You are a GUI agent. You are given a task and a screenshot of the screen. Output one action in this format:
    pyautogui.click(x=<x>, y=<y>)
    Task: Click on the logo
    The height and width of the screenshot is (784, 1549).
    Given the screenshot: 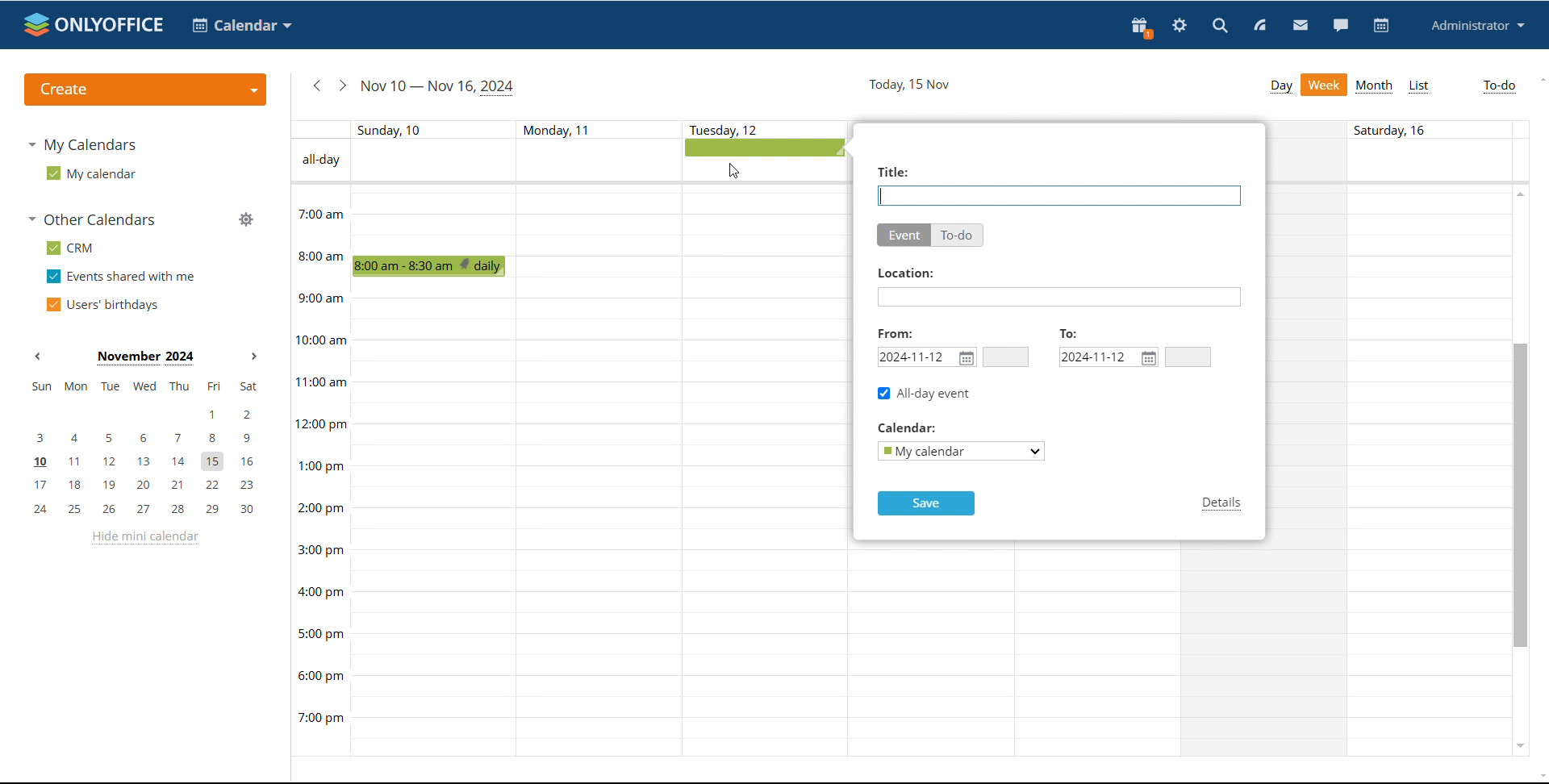 What is the action you would take?
    pyautogui.click(x=94, y=26)
    